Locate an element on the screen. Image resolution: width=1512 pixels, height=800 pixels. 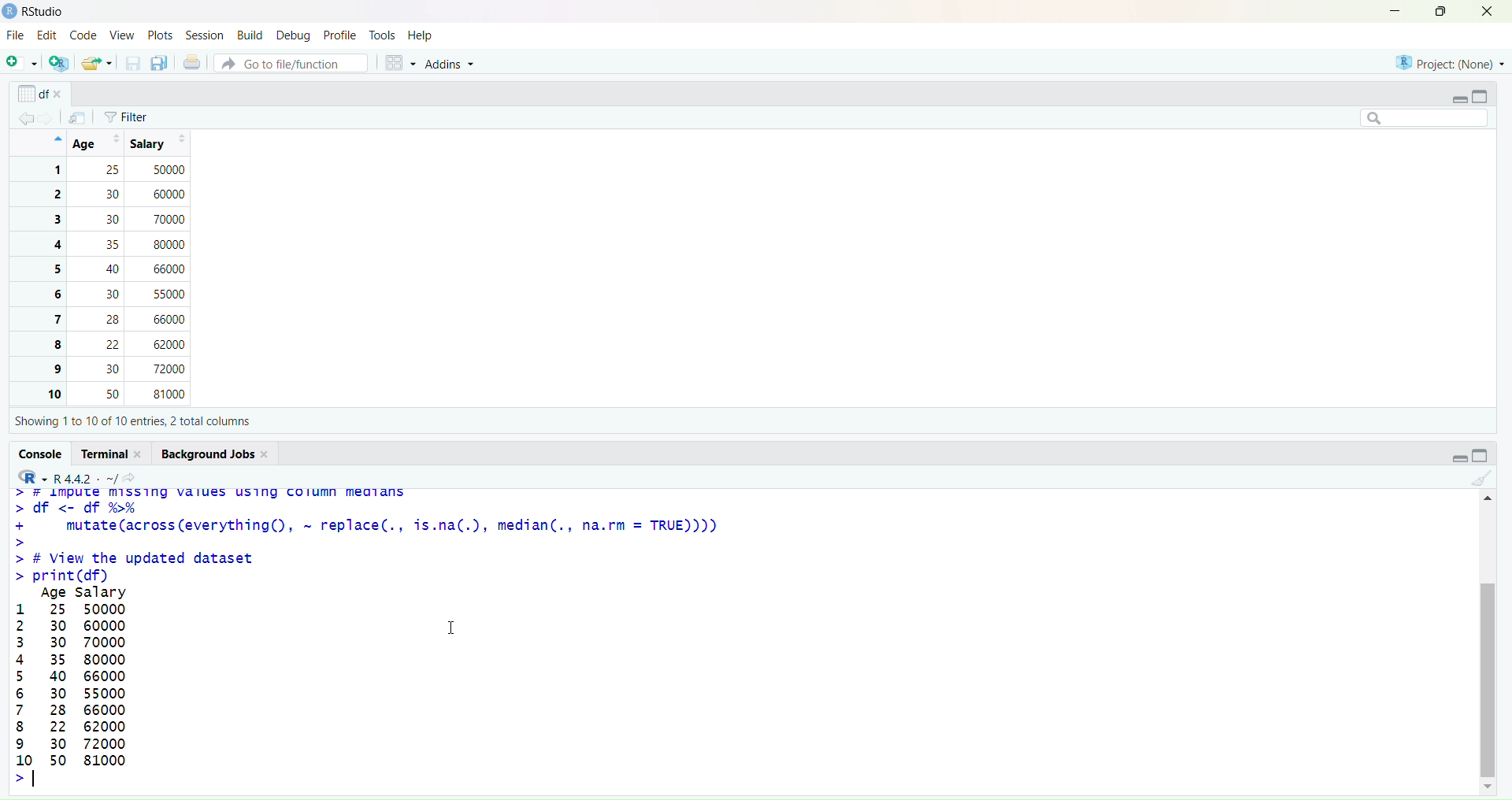
close is located at coordinates (1485, 13).